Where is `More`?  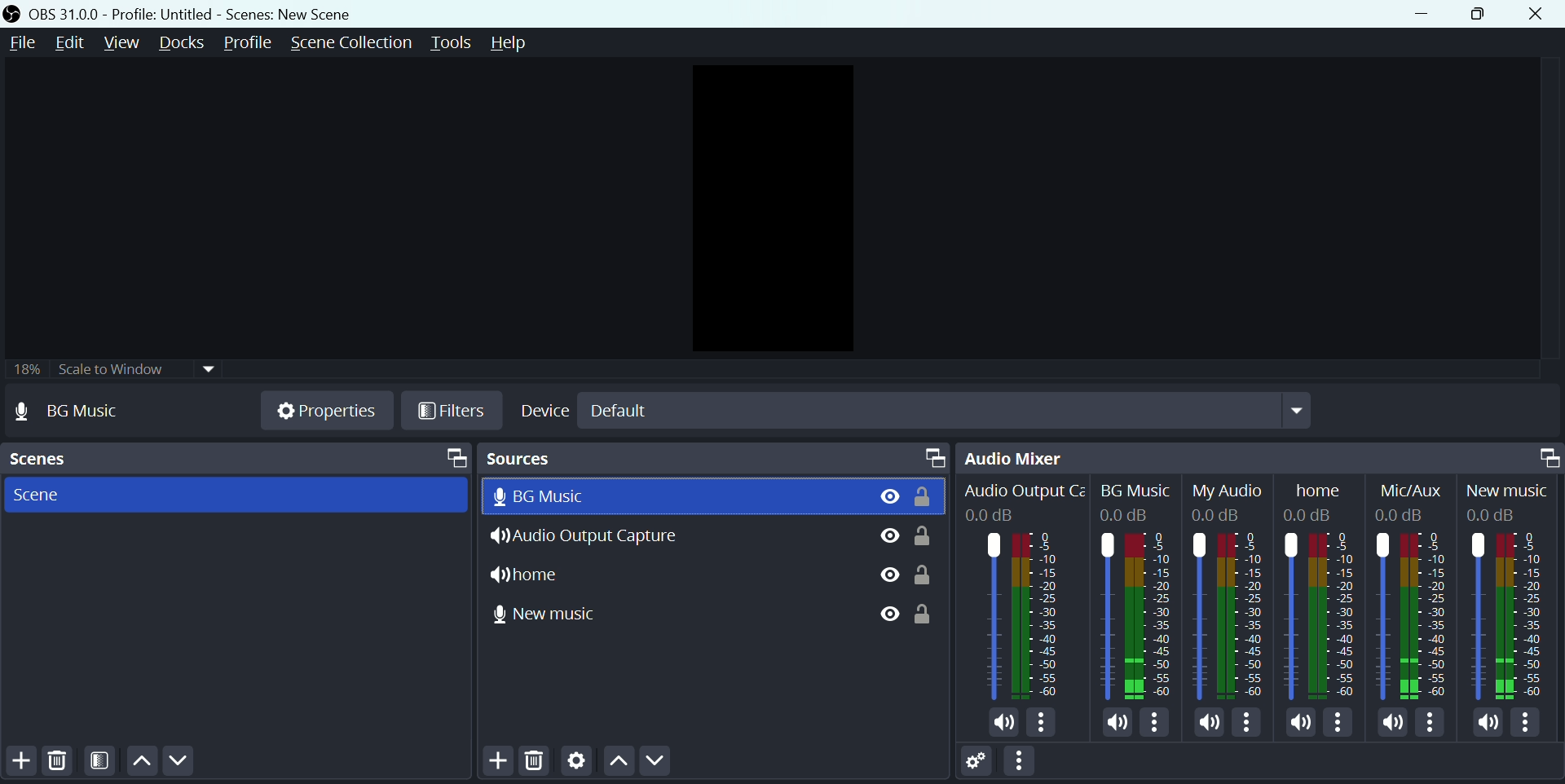
More is located at coordinates (1153, 719).